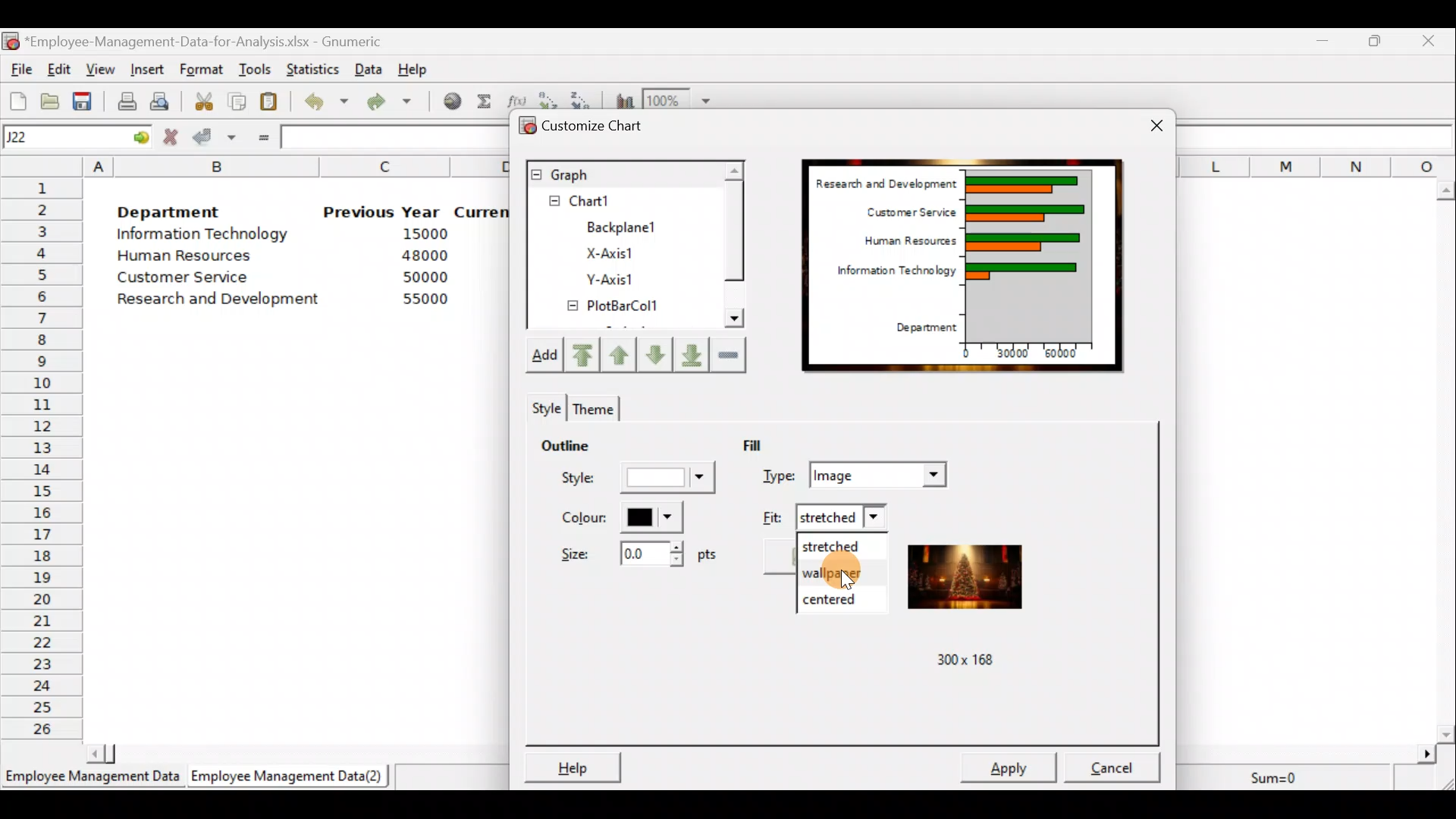 The image size is (1456, 819). I want to click on Rows, so click(42, 460).